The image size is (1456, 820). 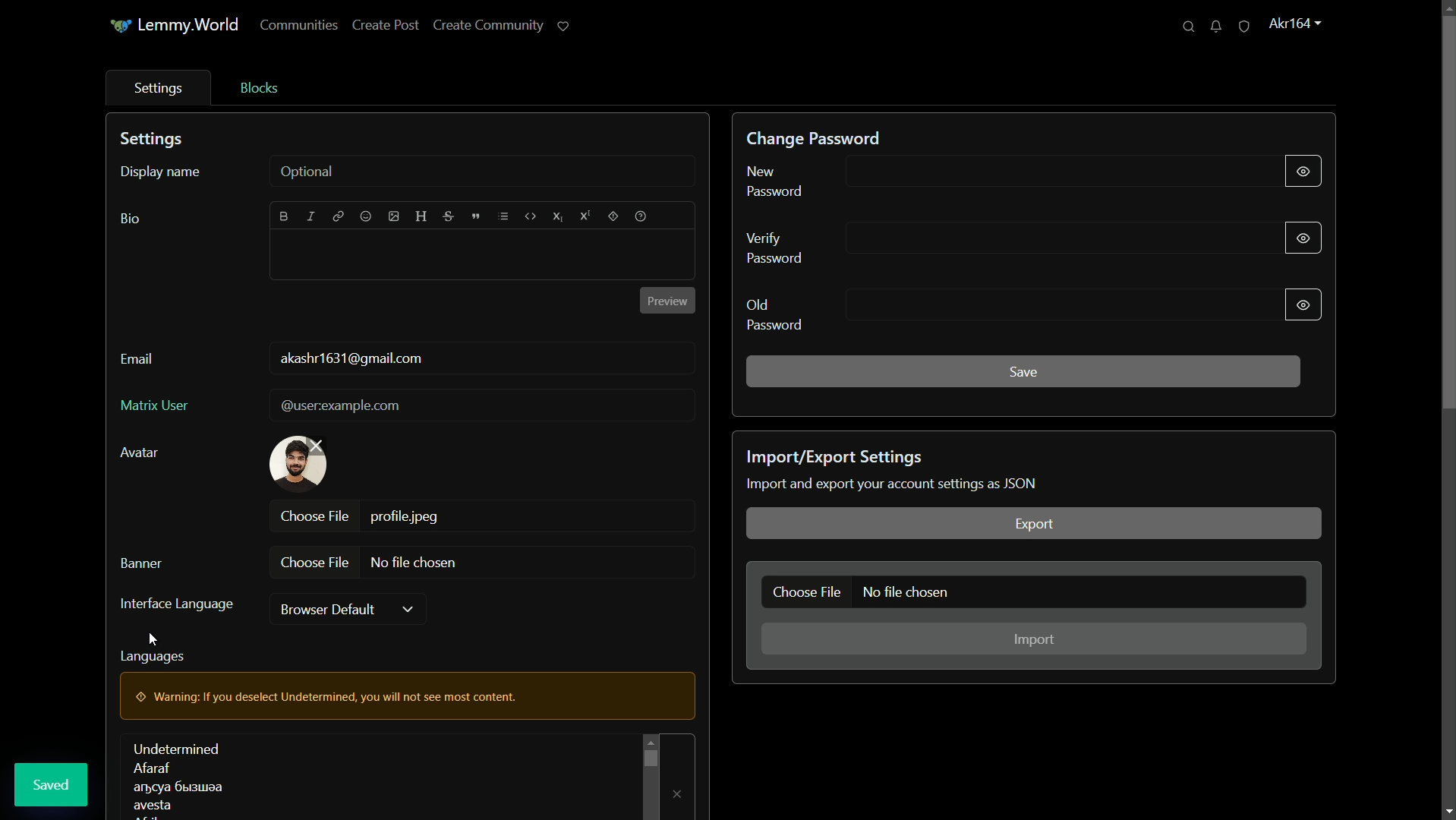 I want to click on languages, so click(x=176, y=777).